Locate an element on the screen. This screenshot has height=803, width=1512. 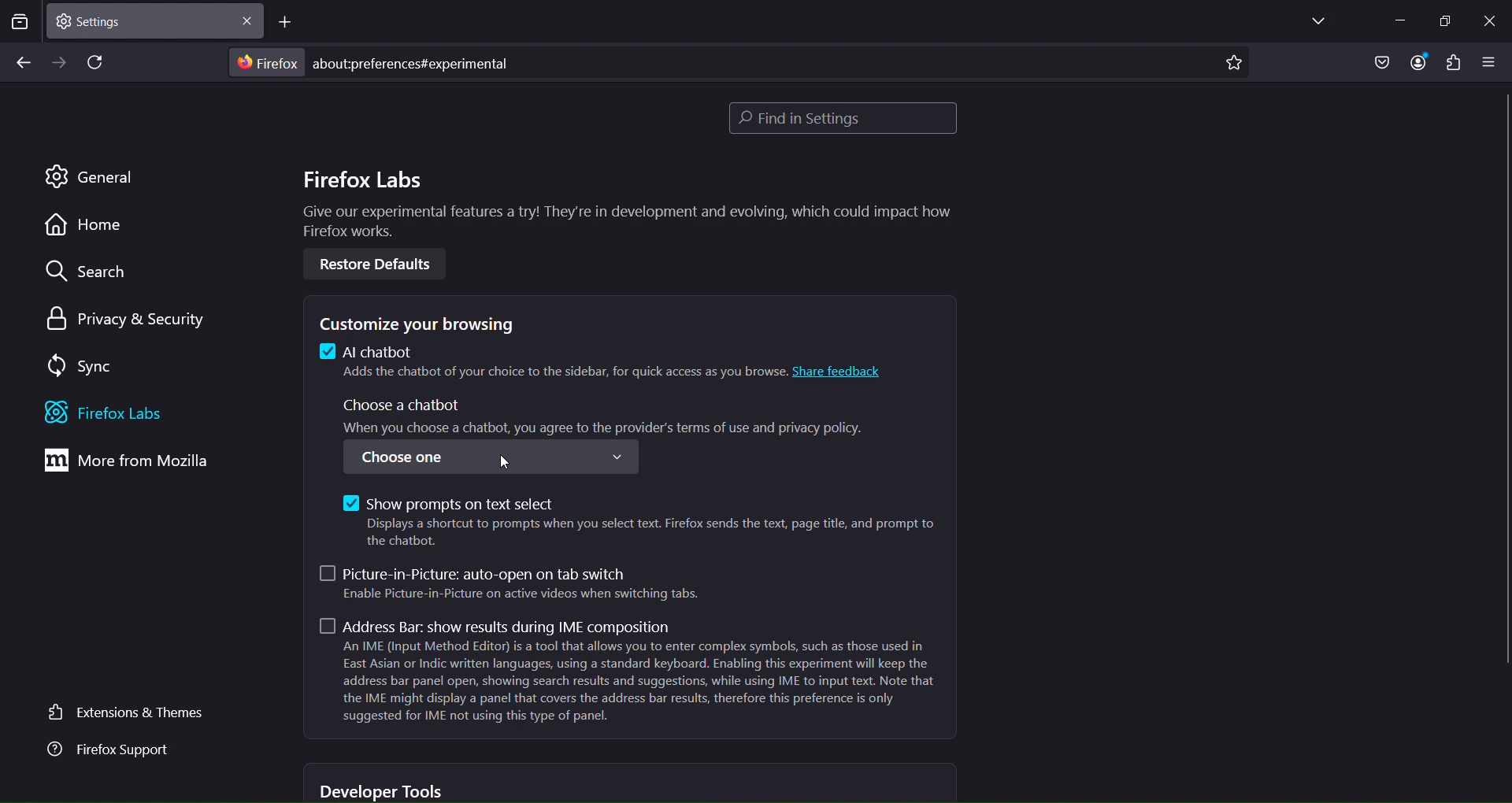
cursor is located at coordinates (506, 461).